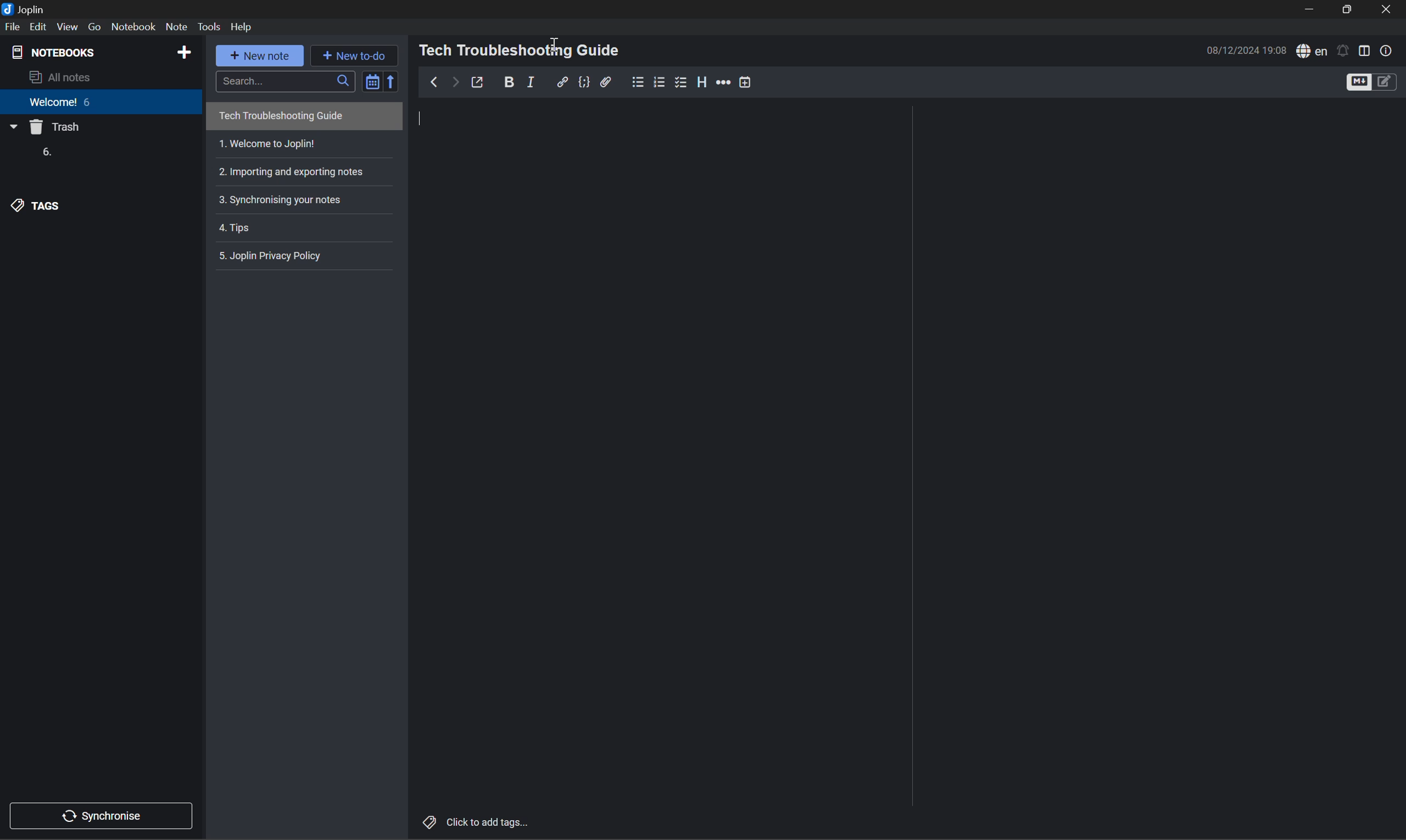 The width and height of the screenshot is (1406, 840). What do you see at coordinates (41, 27) in the screenshot?
I see `Edit` at bounding box center [41, 27].